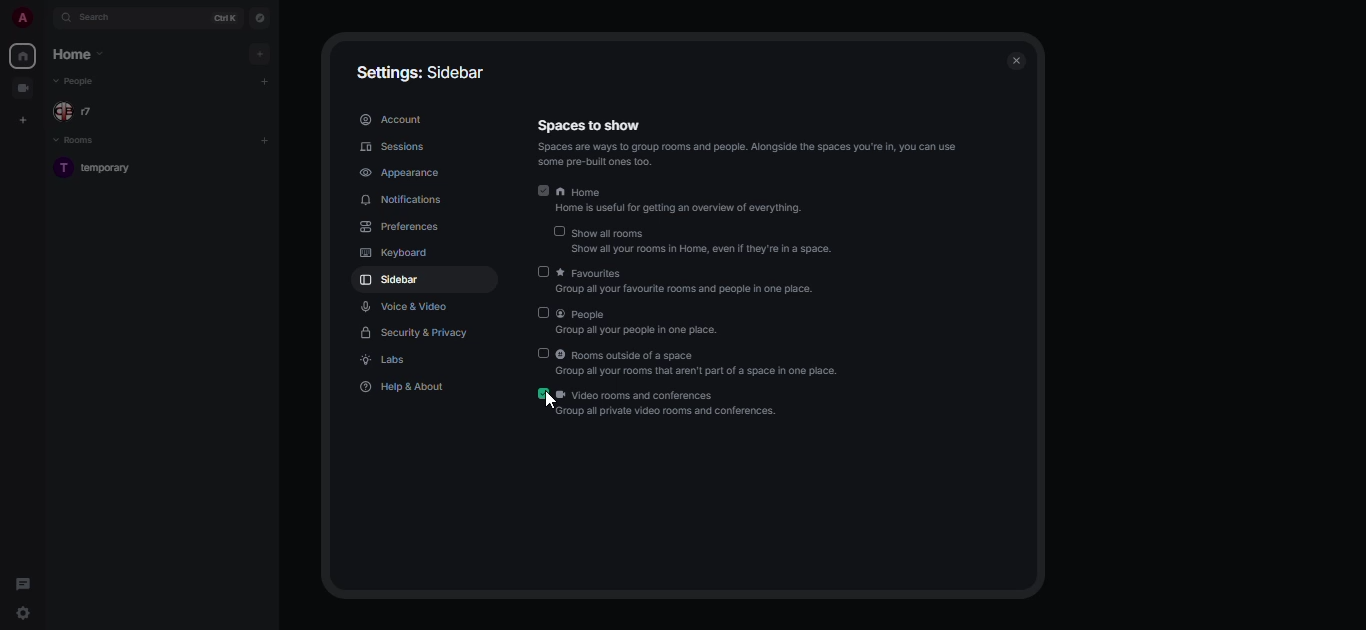 This screenshot has height=630, width=1366. I want to click on , so click(589, 126).